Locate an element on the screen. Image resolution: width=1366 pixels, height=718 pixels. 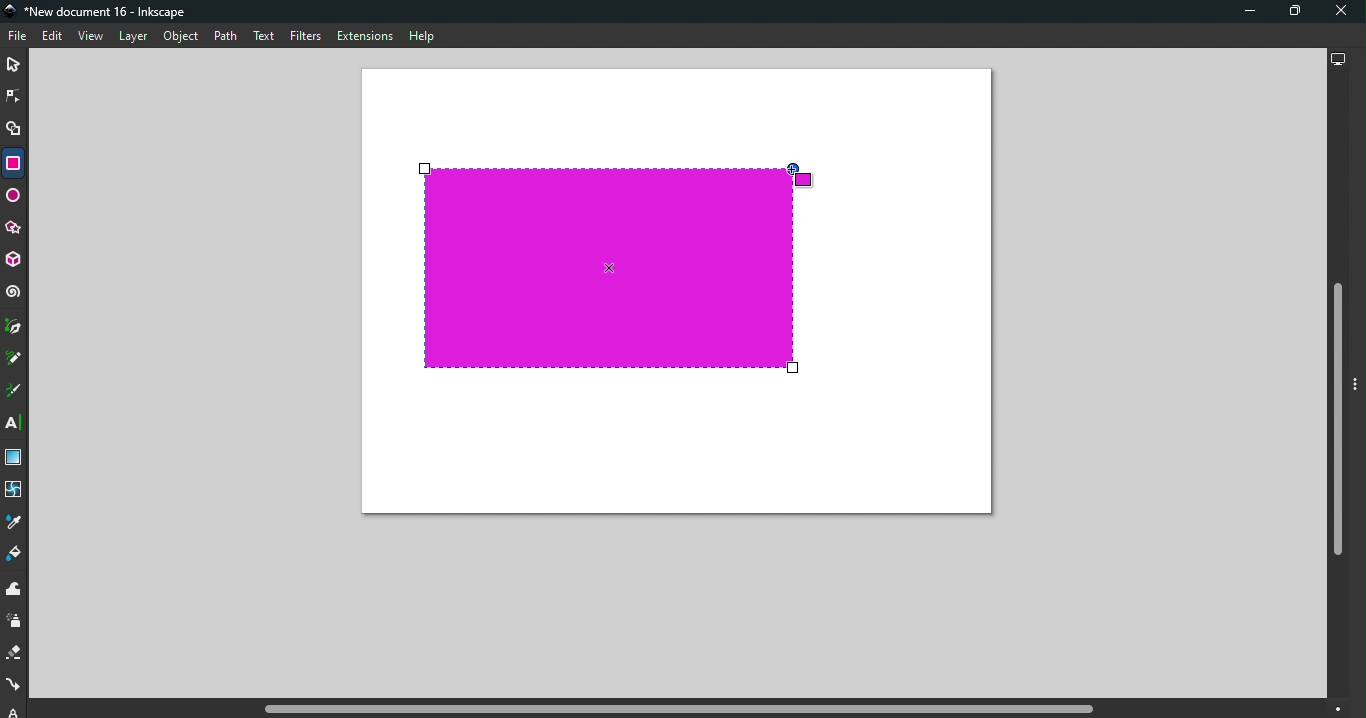
Horizontal scroll bar is located at coordinates (682, 709).